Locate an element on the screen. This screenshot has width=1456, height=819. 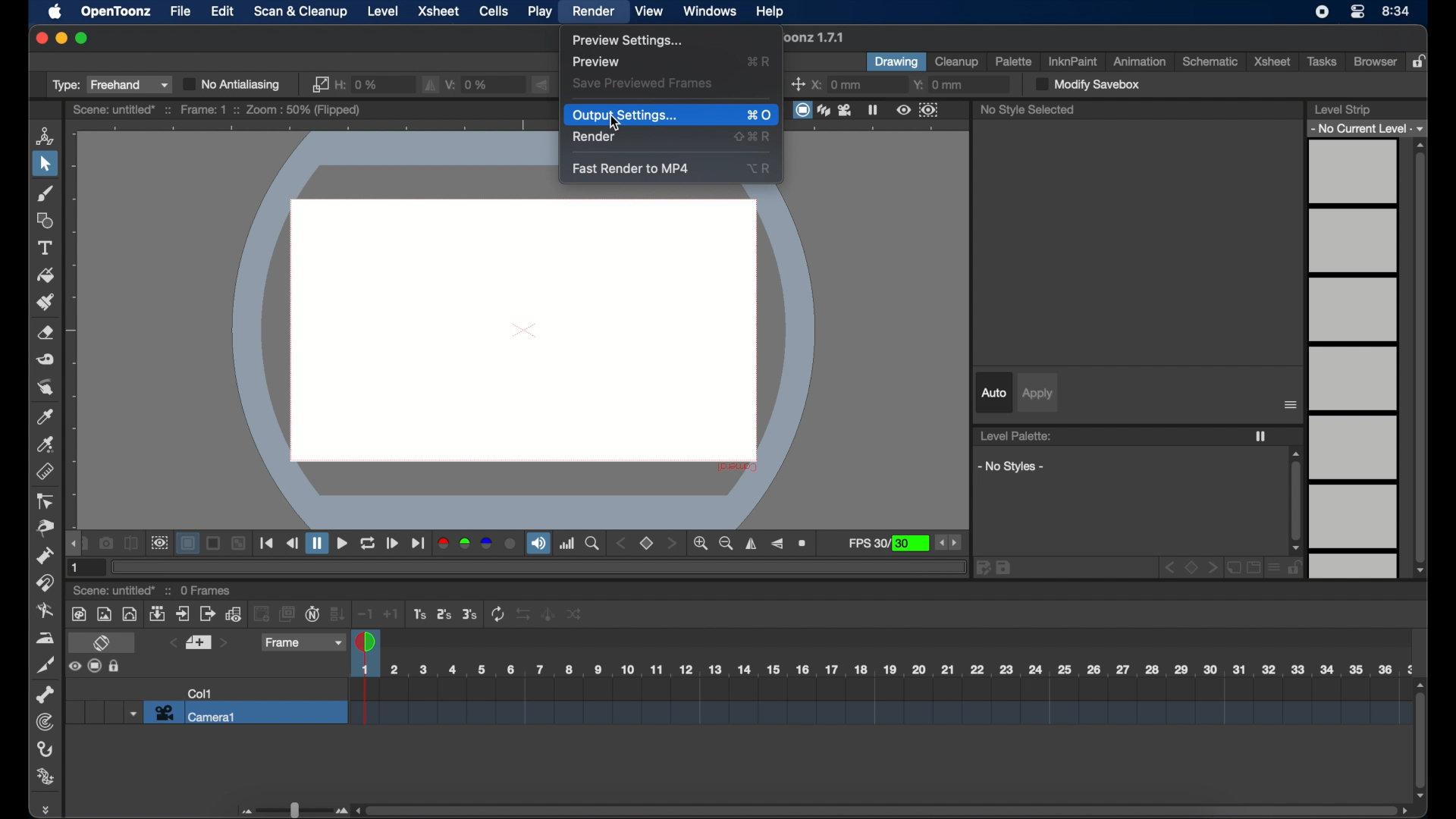
iron tool is located at coordinates (45, 638).